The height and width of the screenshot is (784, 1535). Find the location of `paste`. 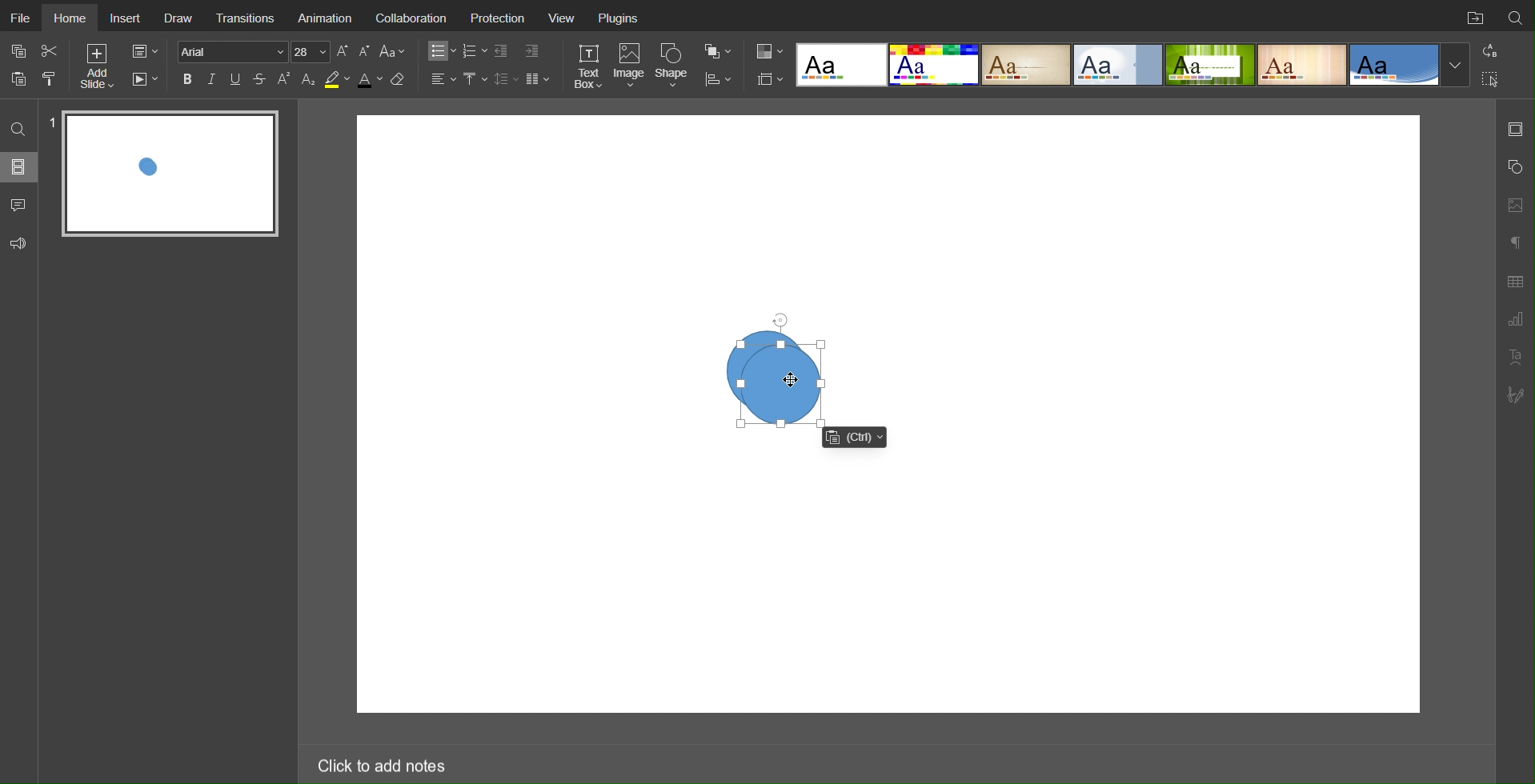

paste is located at coordinates (21, 78).